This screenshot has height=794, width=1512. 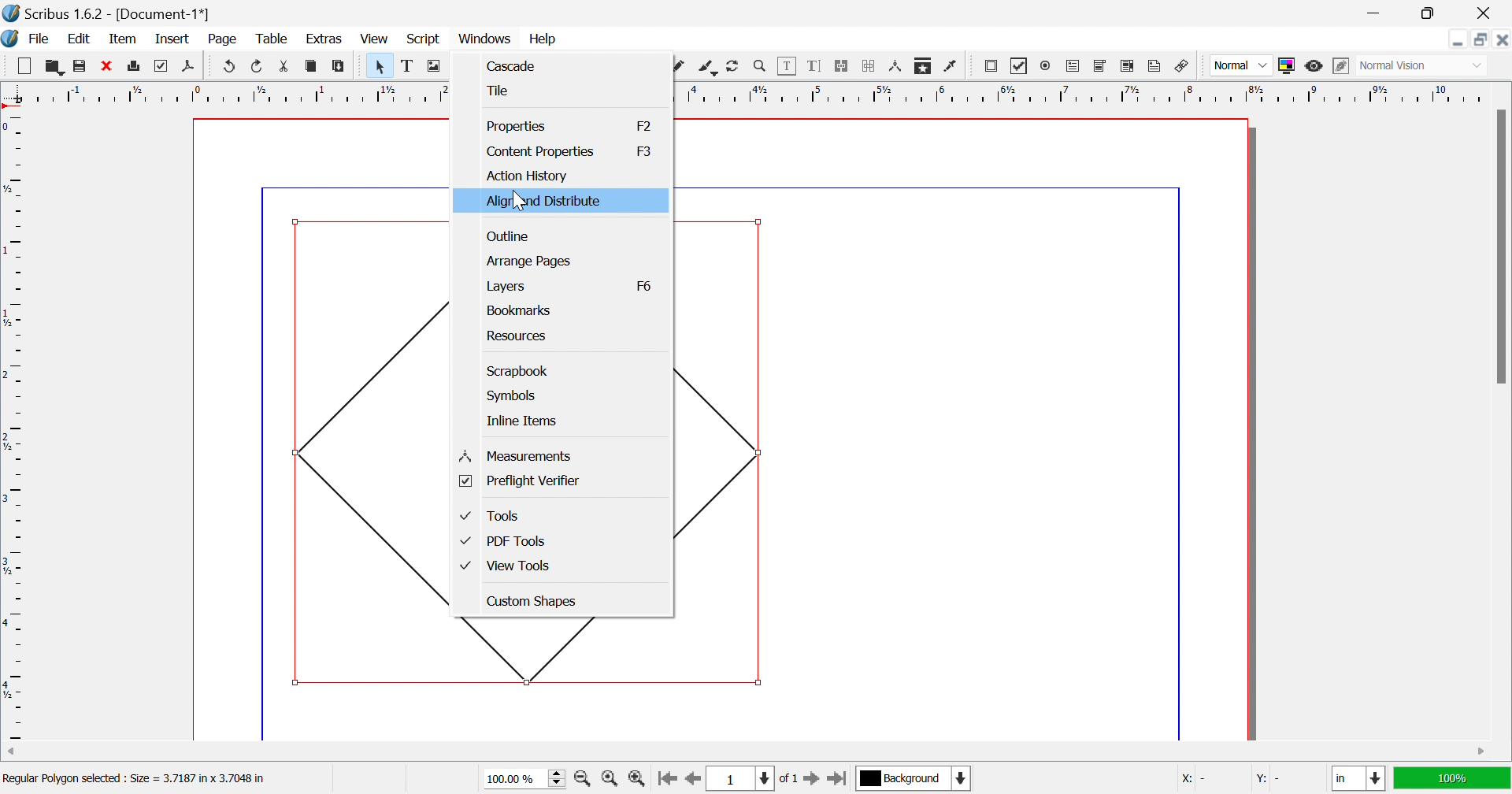 I want to click on Save, so click(x=76, y=64).